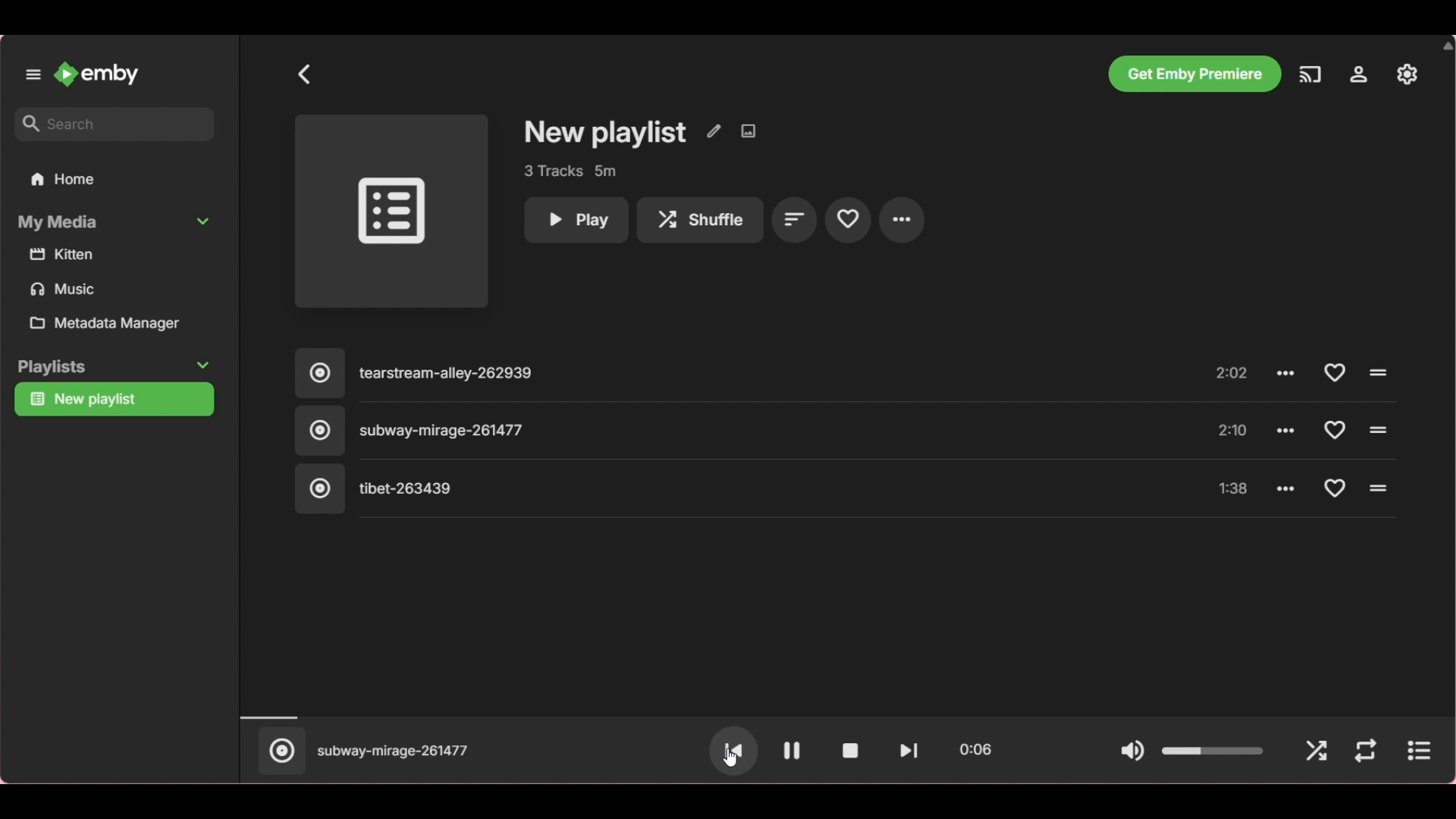  What do you see at coordinates (576, 221) in the screenshot?
I see `Play` at bounding box center [576, 221].